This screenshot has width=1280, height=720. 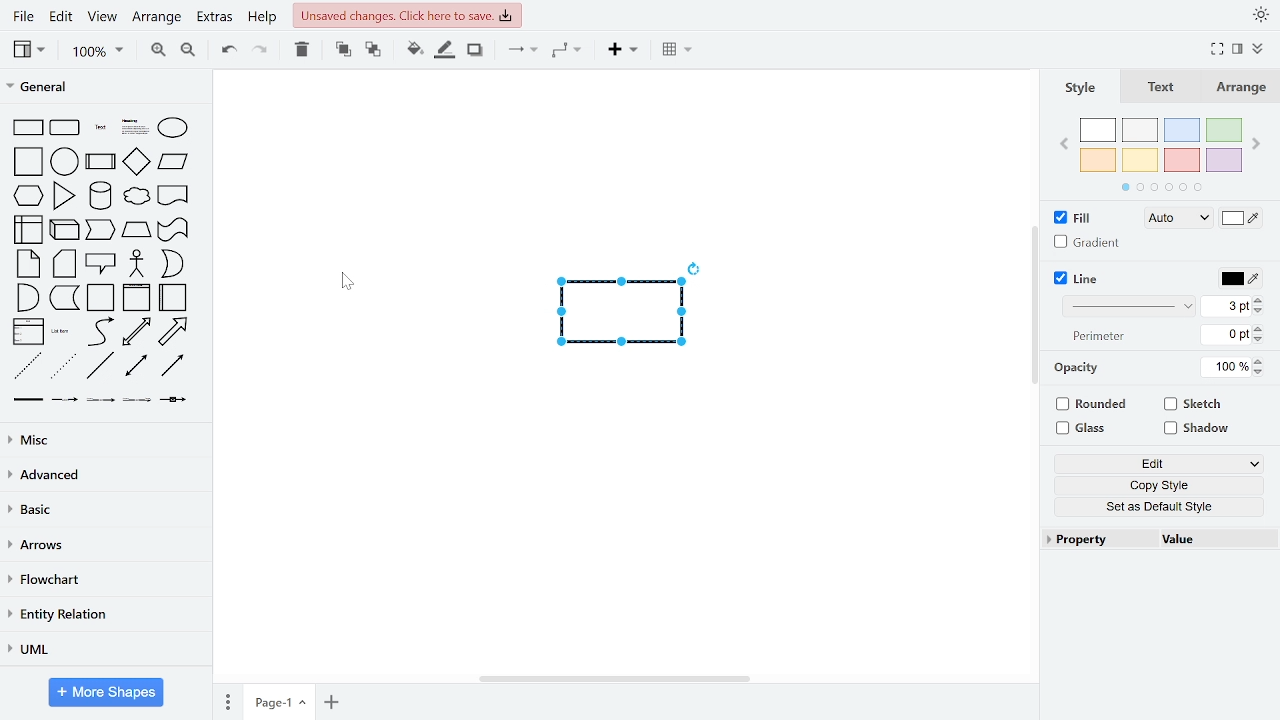 What do you see at coordinates (446, 51) in the screenshot?
I see `fill line` at bounding box center [446, 51].